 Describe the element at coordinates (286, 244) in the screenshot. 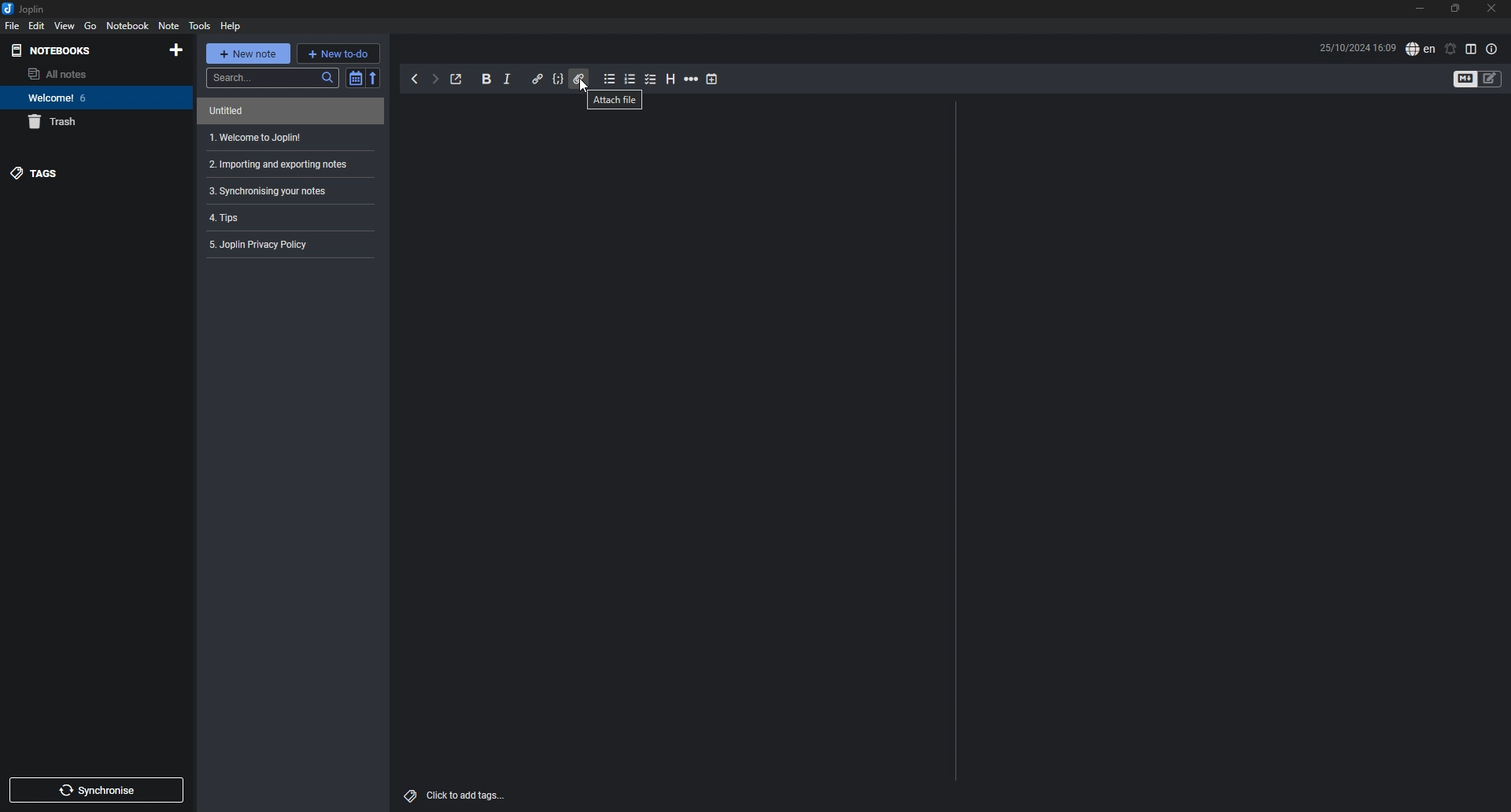

I see `5. Joplin Privacy Policy` at that location.